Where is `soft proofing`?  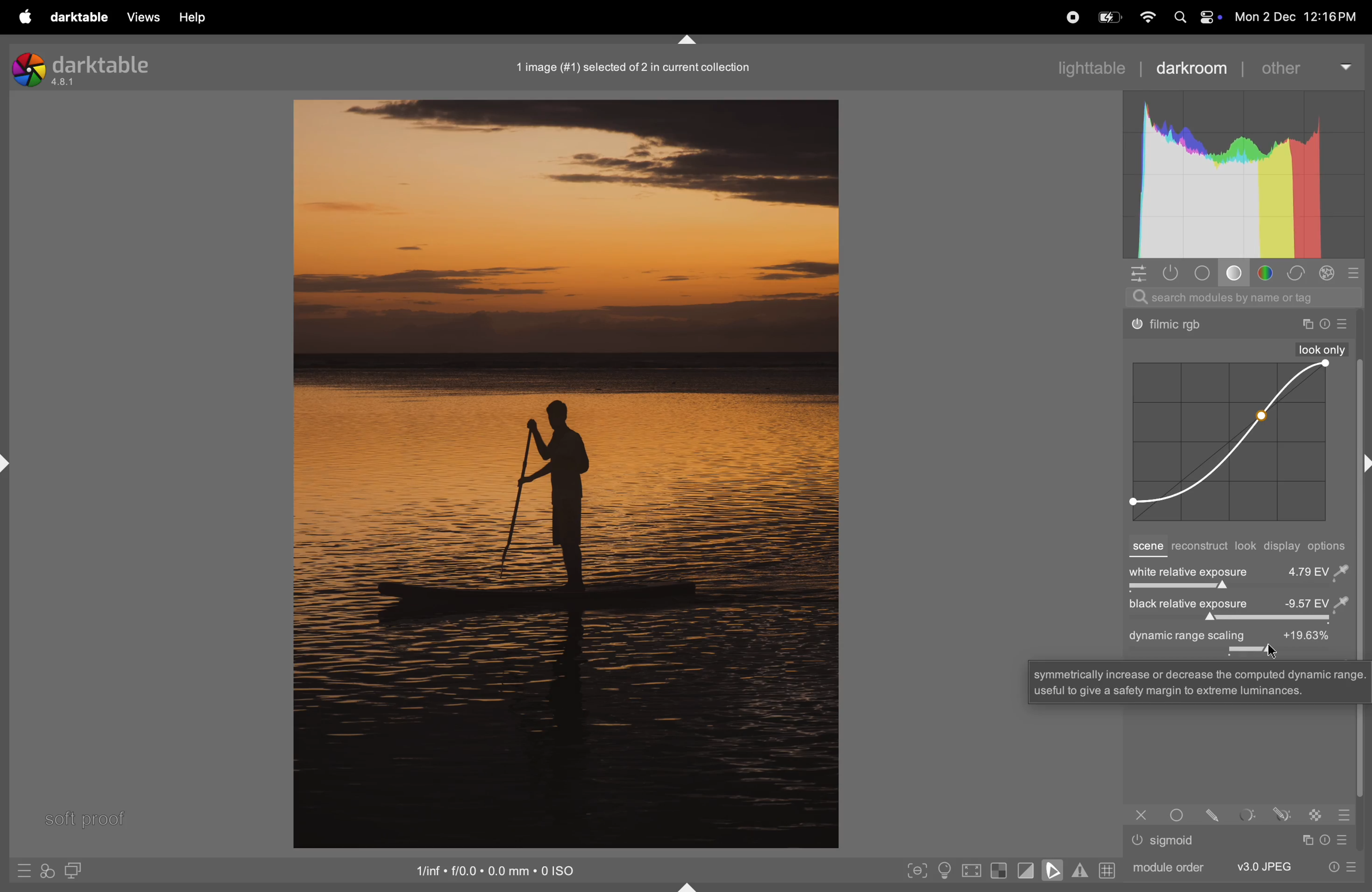 soft proofing is located at coordinates (1055, 870).